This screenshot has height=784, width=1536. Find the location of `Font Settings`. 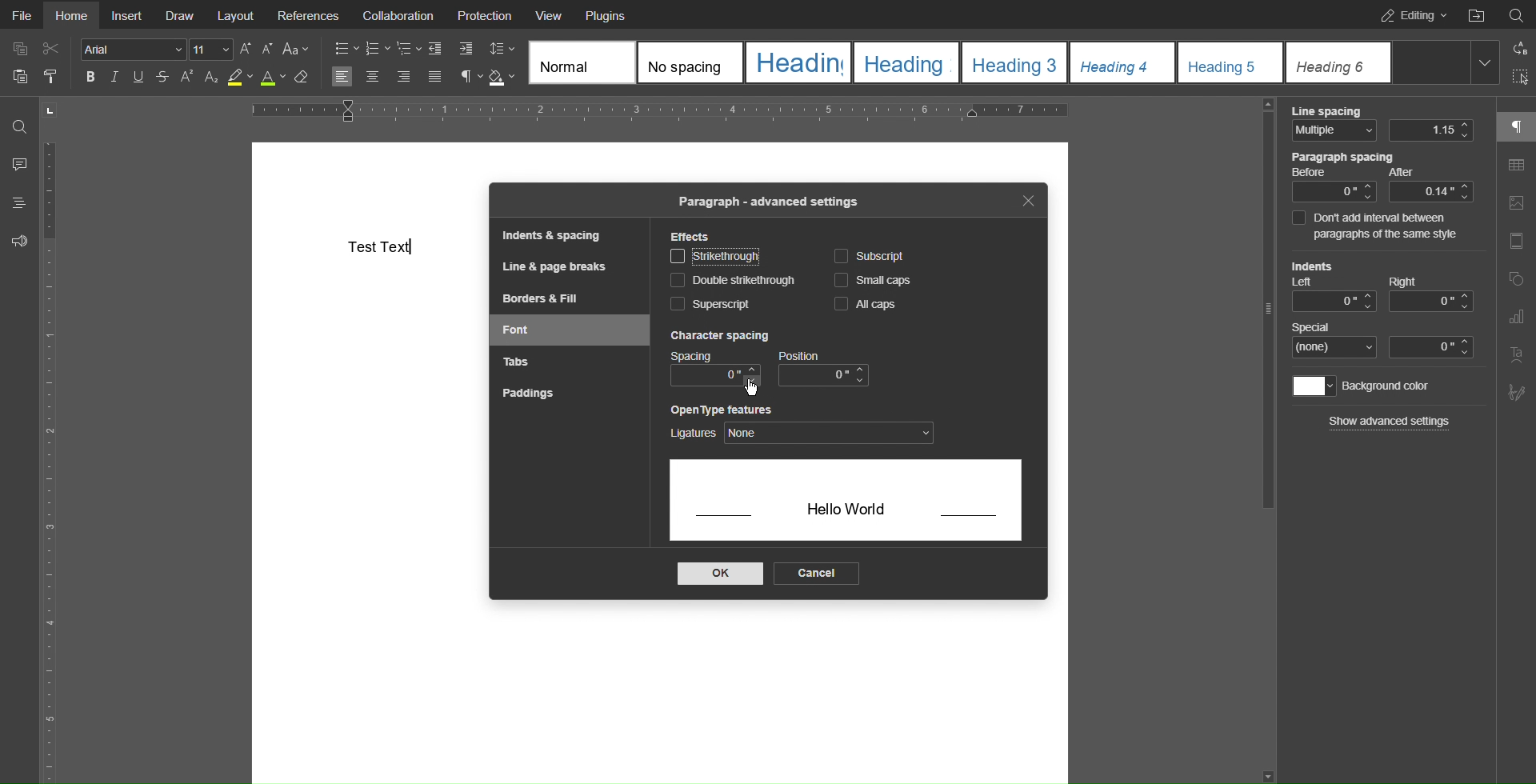

Font Settings is located at coordinates (157, 49).